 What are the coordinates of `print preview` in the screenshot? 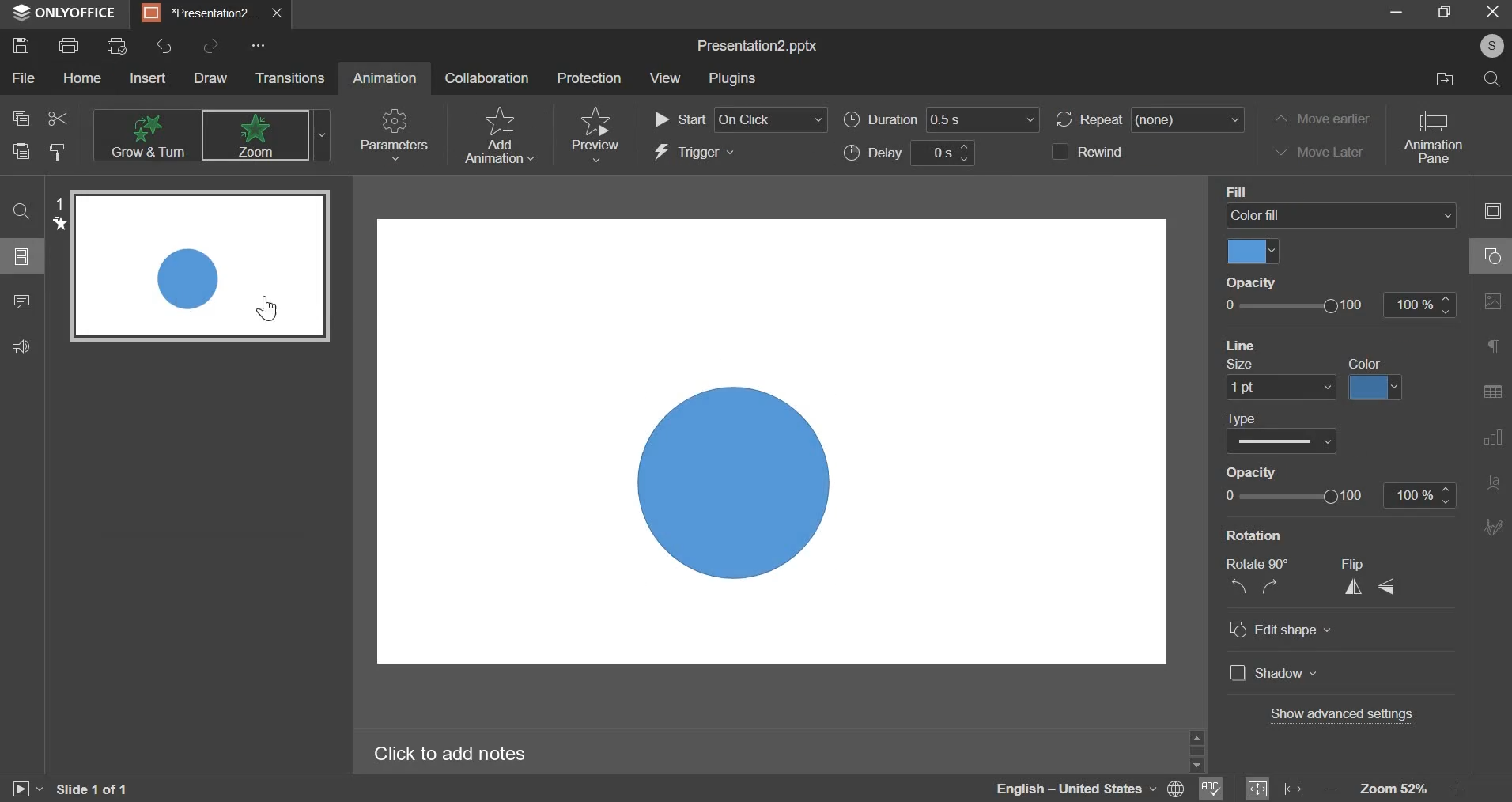 It's located at (119, 46).